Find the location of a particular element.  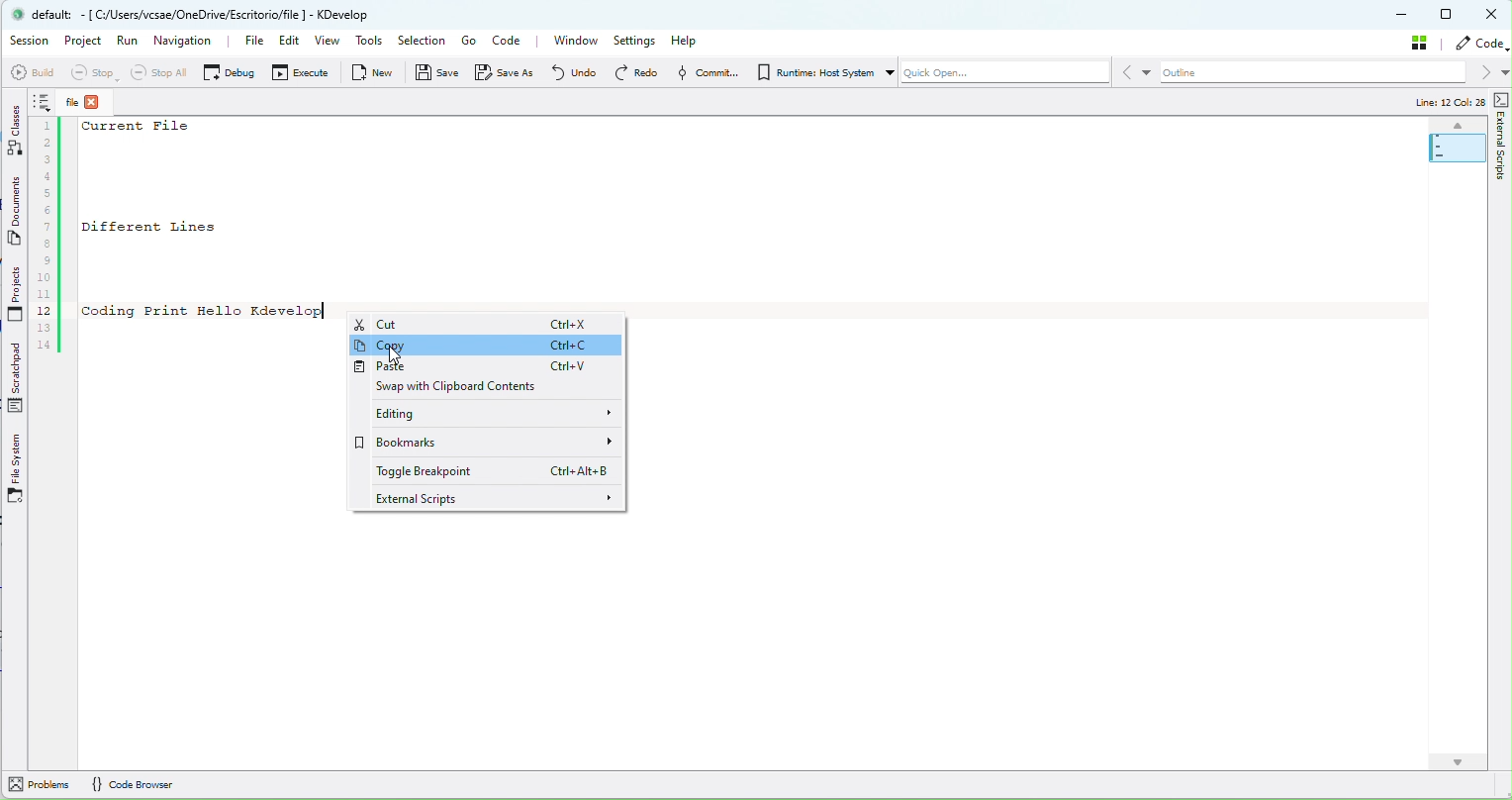

External scripts is located at coordinates (494, 498).